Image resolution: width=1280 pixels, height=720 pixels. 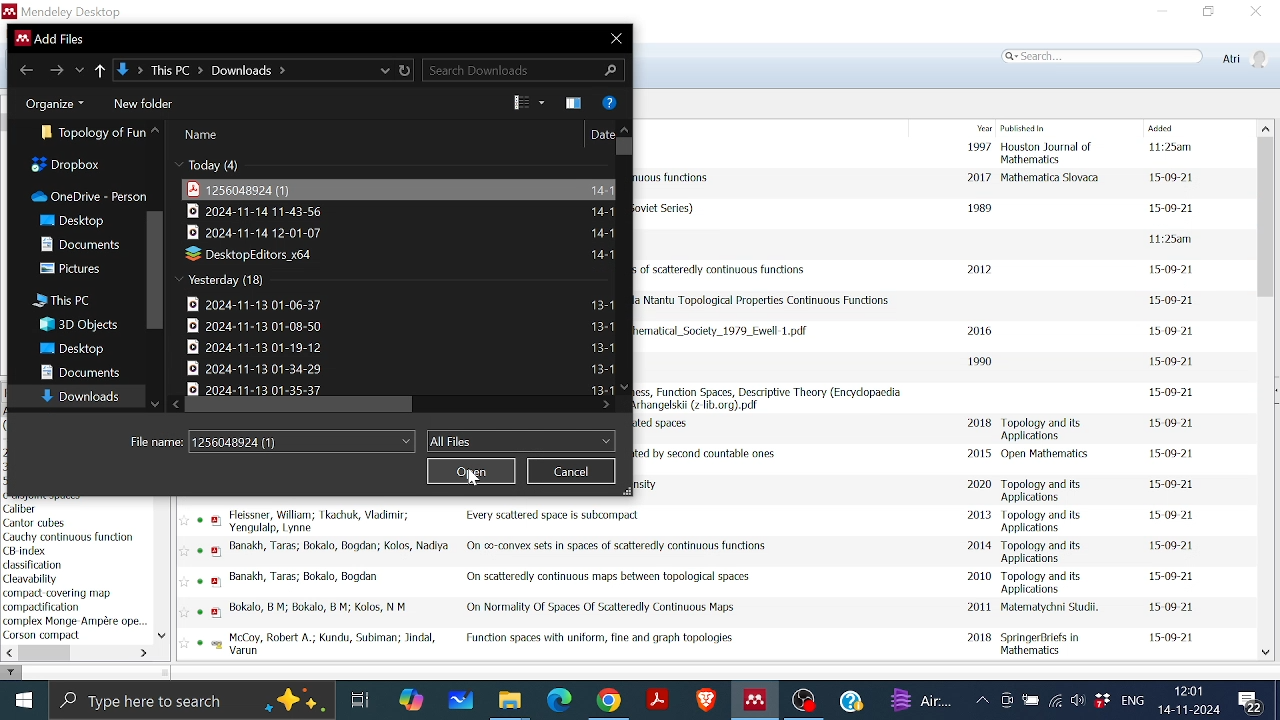 I want to click on File, so click(x=256, y=306).